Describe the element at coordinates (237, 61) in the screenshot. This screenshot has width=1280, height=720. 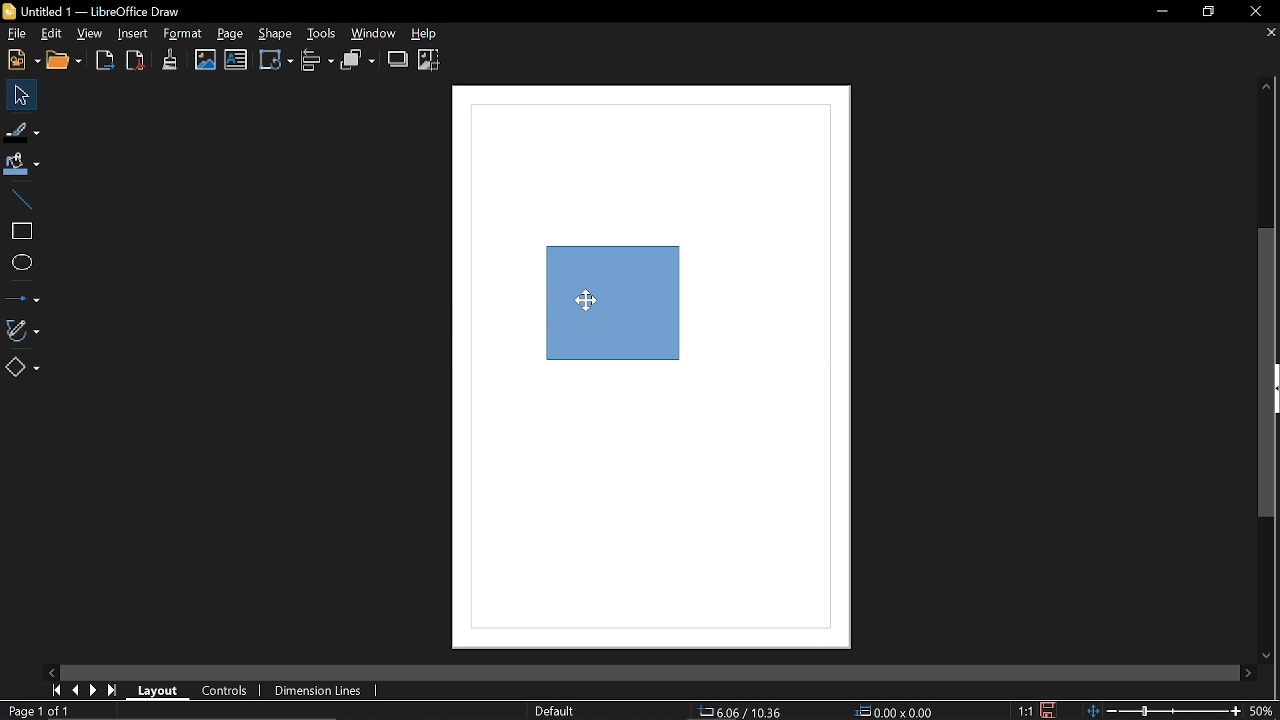
I see `Insert text` at that location.